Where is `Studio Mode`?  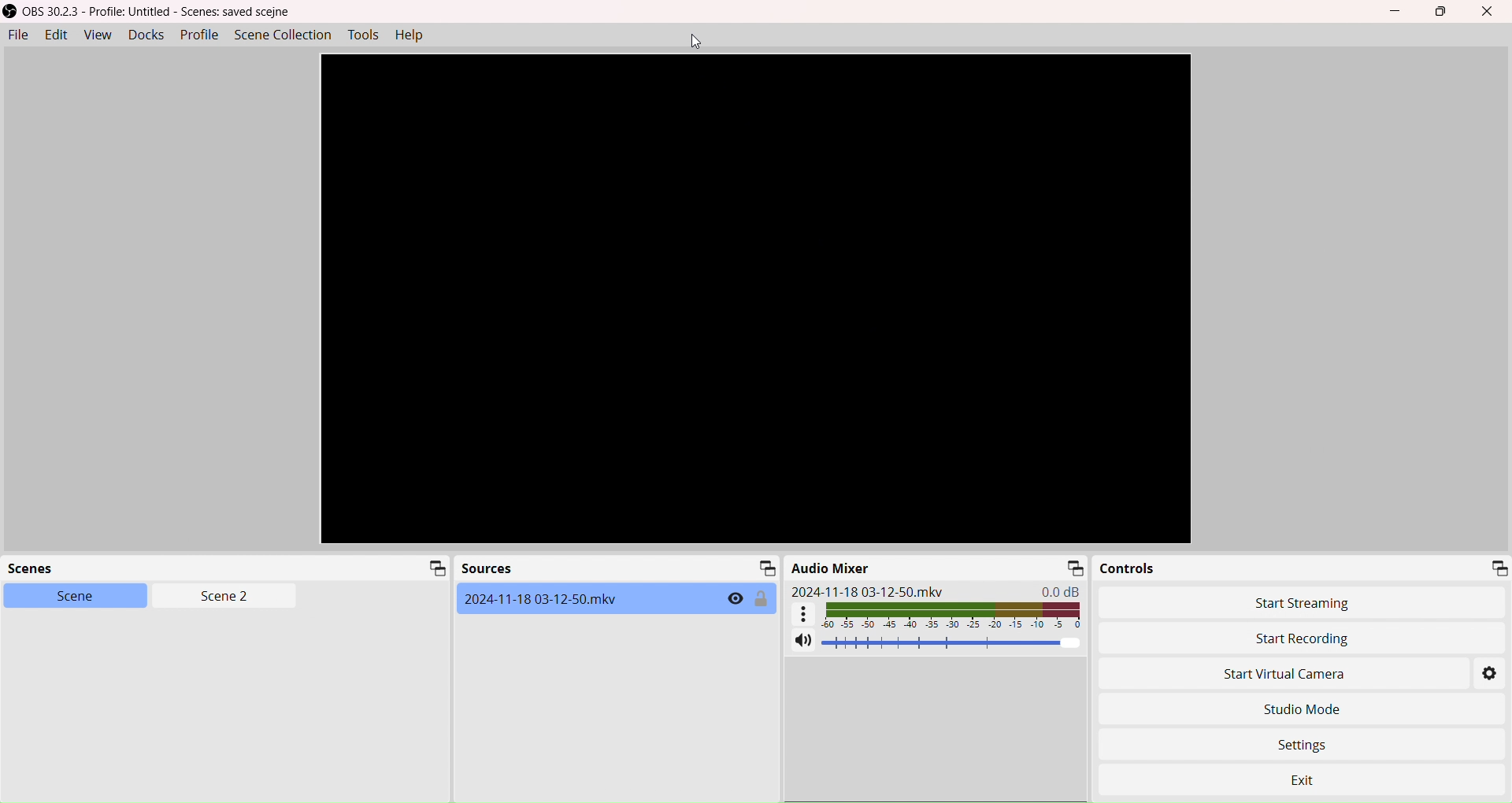 Studio Mode is located at coordinates (1301, 709).